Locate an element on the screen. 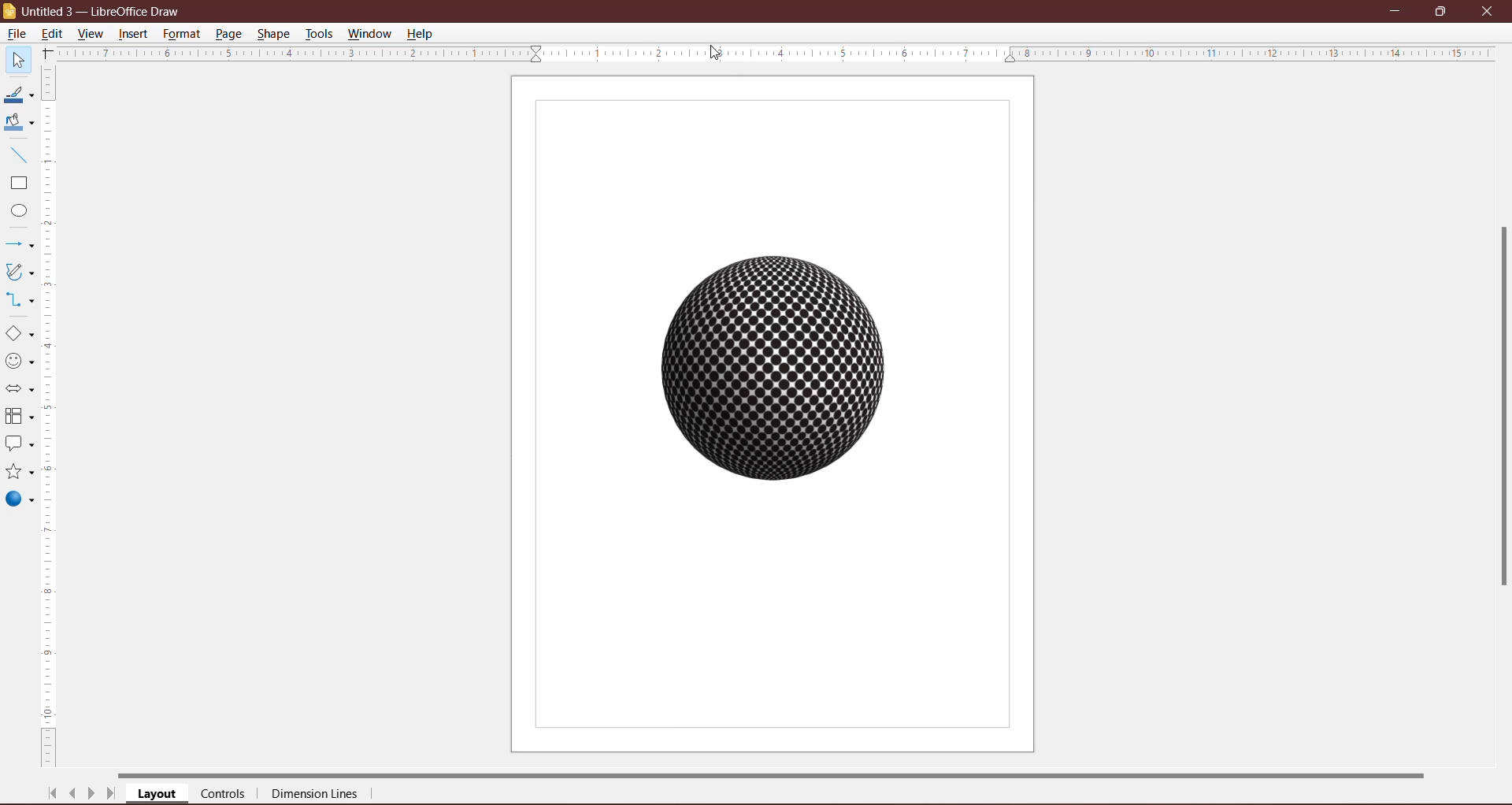  Selected texture fill applied to the object is located at coordinates (774, 371).